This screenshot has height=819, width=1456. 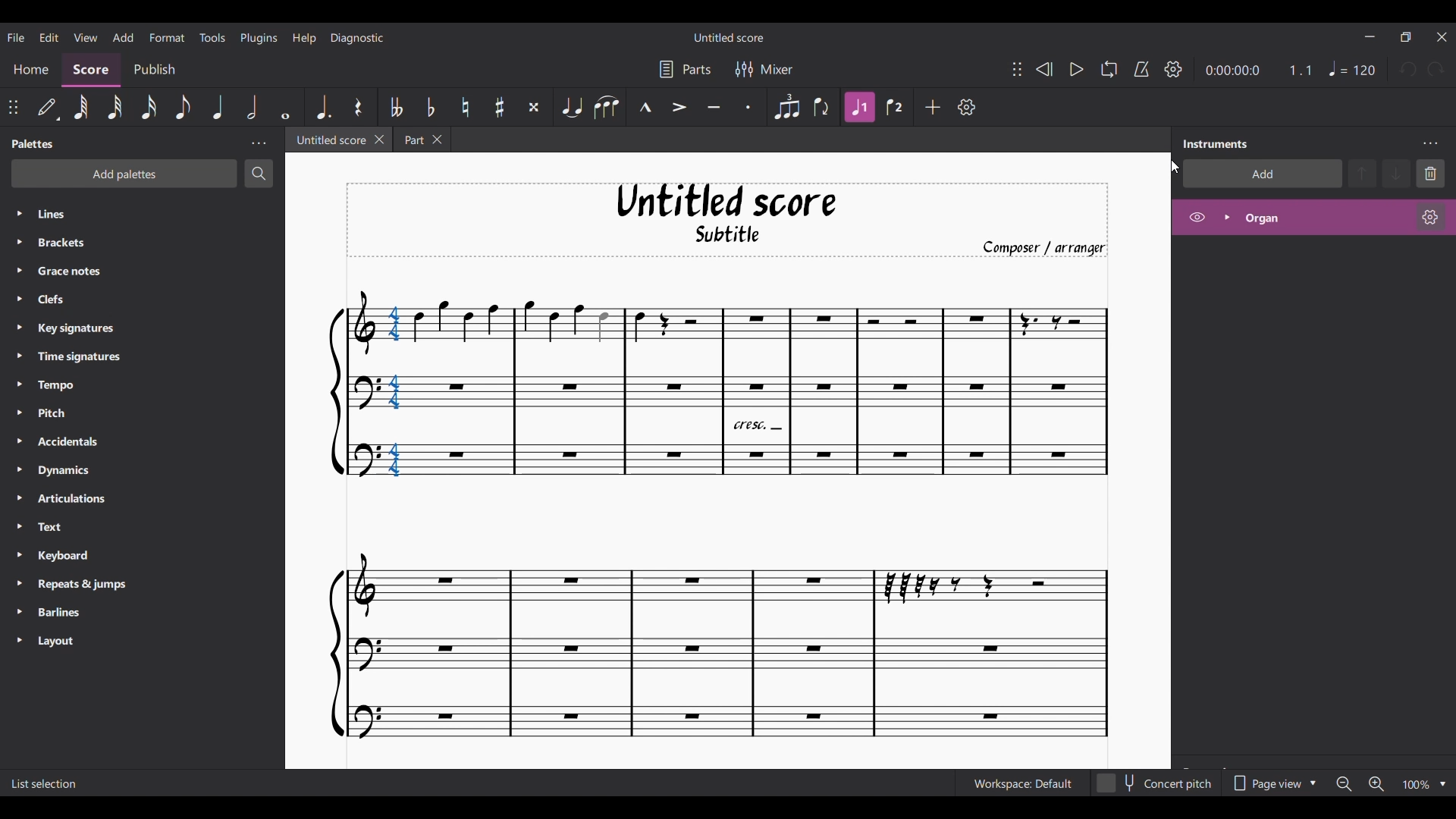 I want to click on Mixer settings, so click(x=764, y=69).